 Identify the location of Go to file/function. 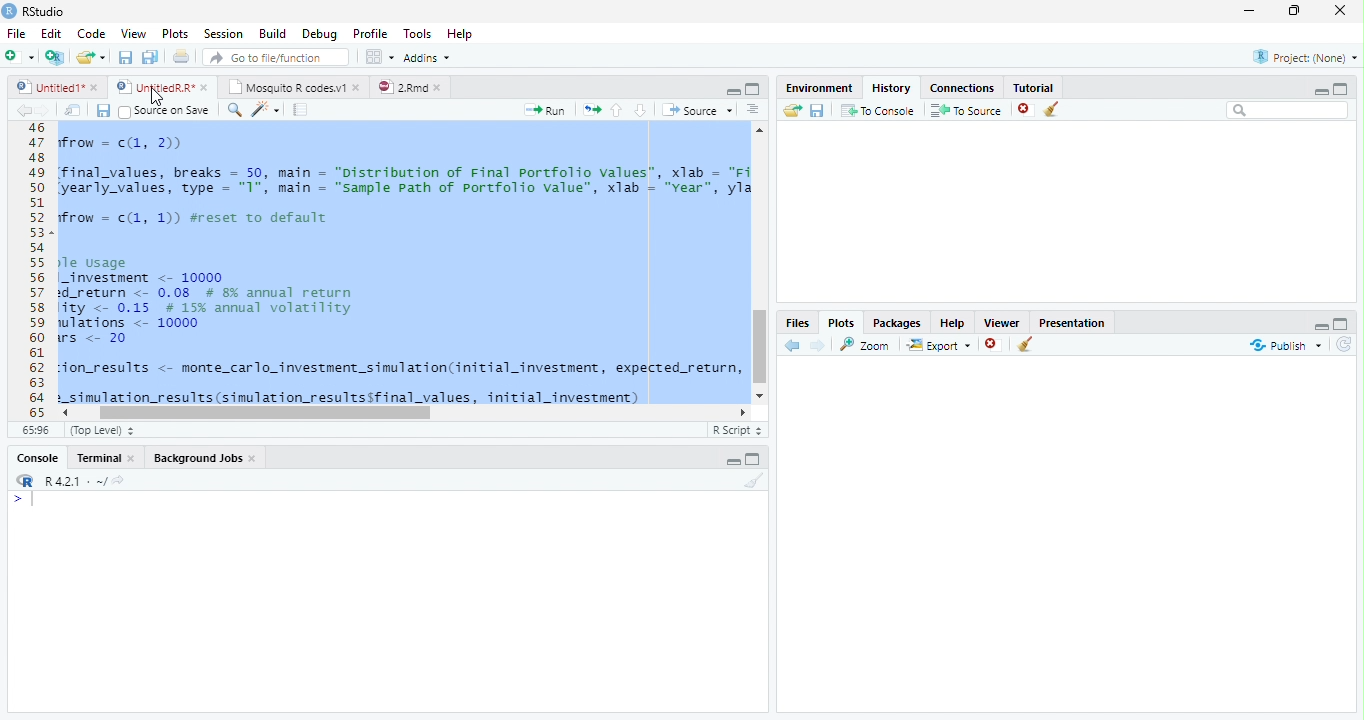
(274, 57).